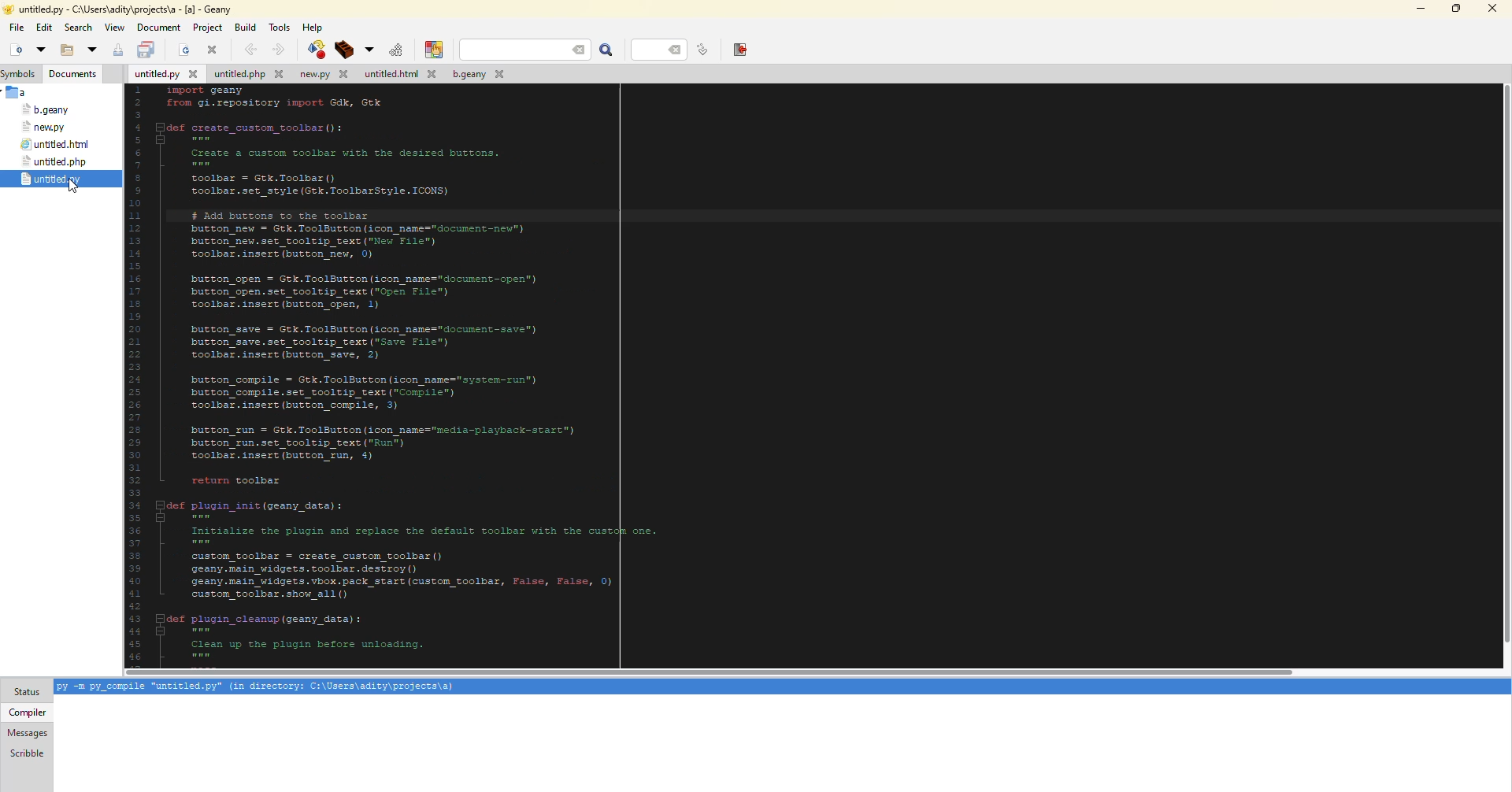 This screenshot has width=1512, height=792. What do you see at coordinates (313, 50) in the screenshot?
I see `build` at bounding box center [313, 50].